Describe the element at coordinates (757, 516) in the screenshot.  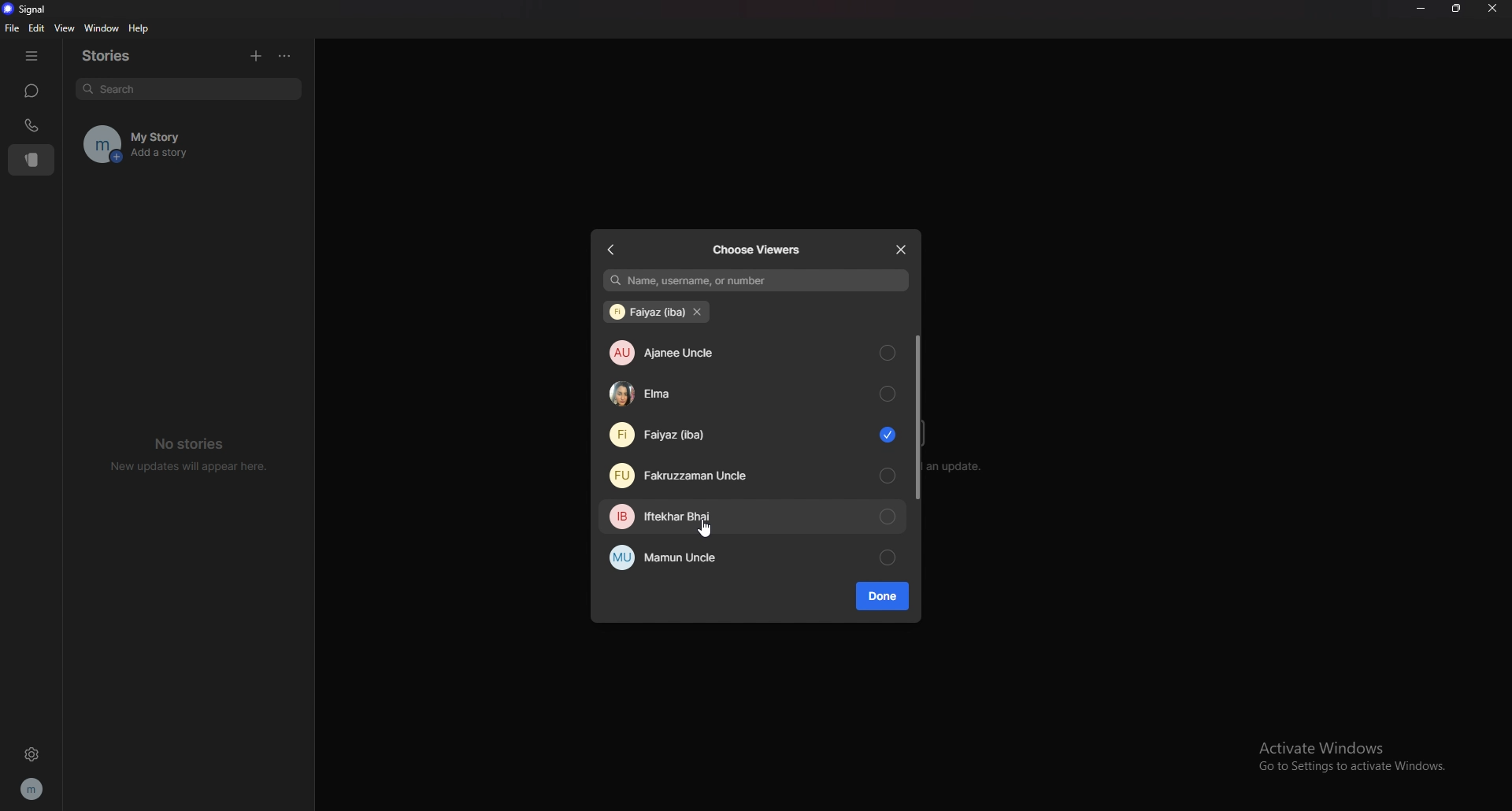
I see `iftekhar bhai` at that location.